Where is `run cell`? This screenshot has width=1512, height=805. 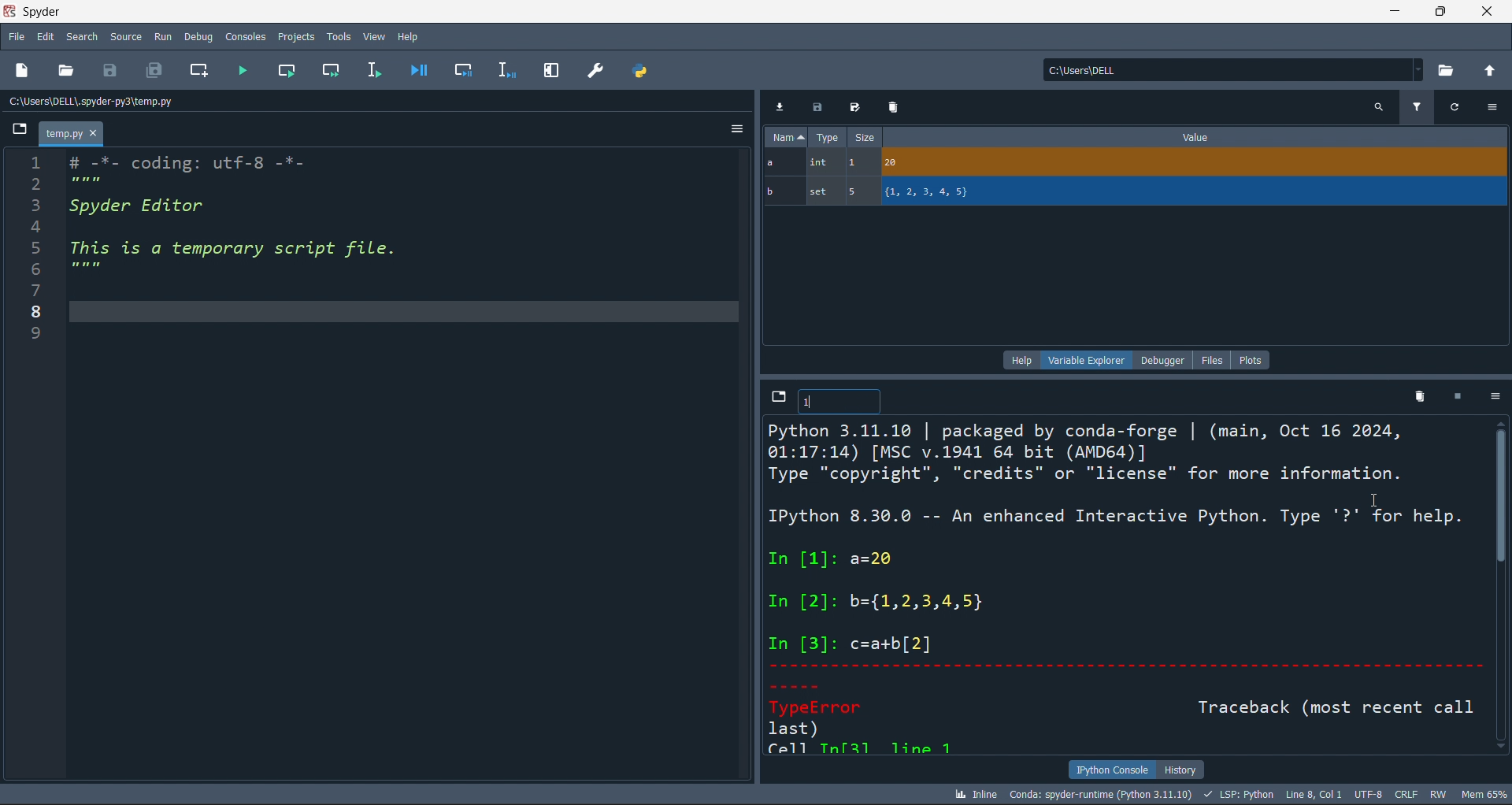 run cell is located at coordinates (335, 72).